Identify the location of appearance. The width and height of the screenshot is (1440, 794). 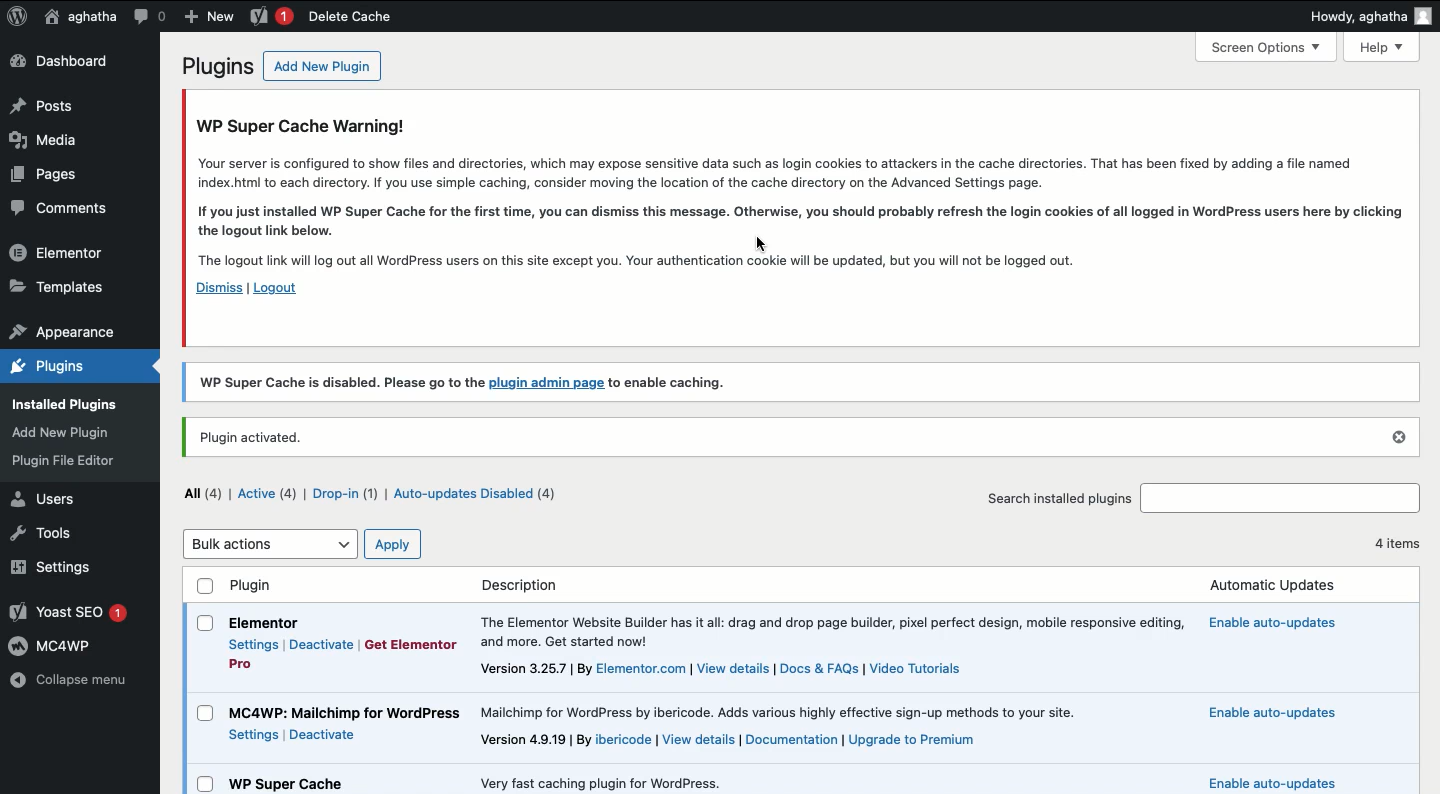
(63, 329).